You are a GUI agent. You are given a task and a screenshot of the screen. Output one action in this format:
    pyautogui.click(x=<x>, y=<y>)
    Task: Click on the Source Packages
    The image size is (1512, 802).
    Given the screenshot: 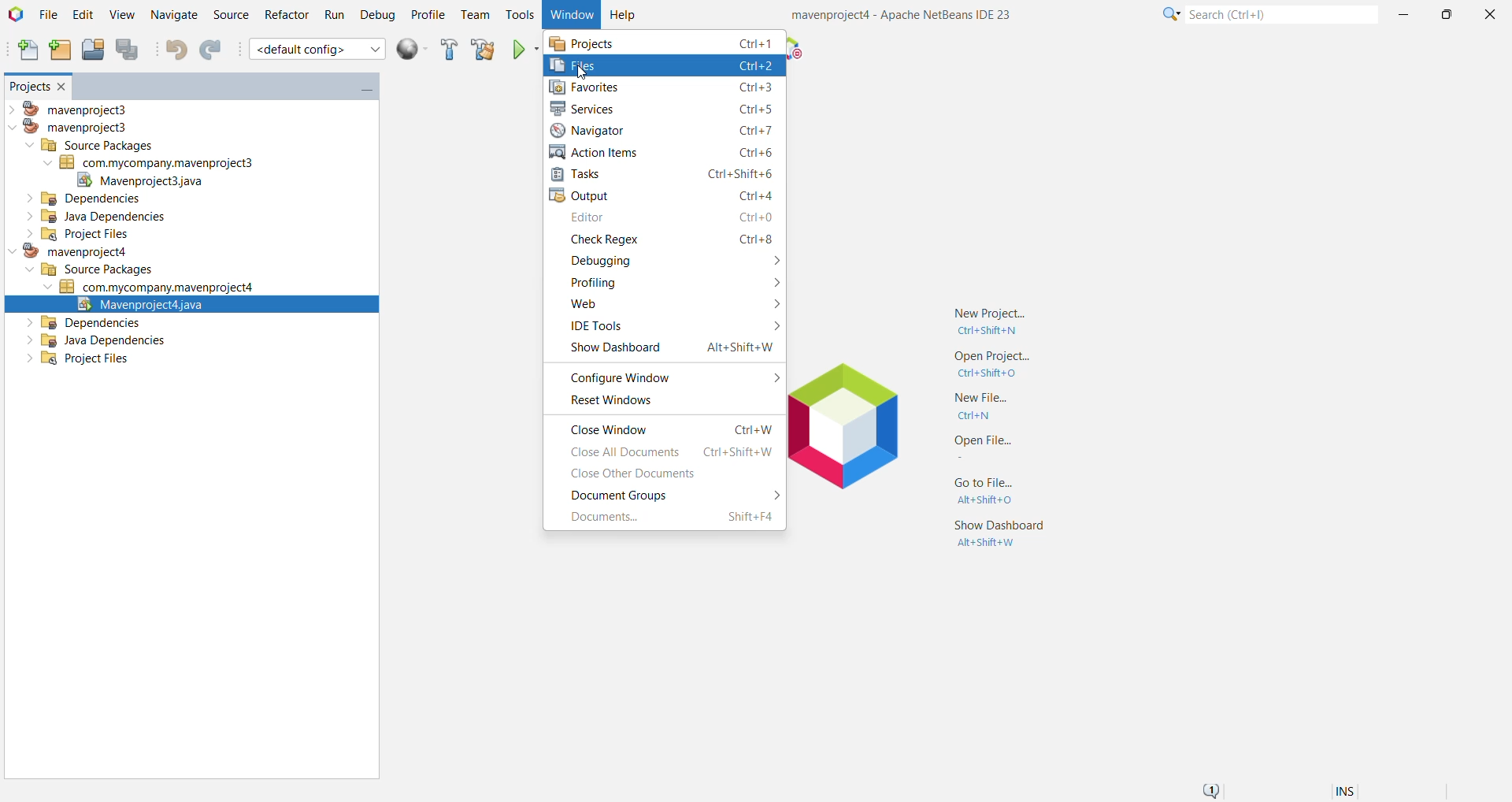 What is the action you would take?
    pyautogui.click(x=90, y=144)
    